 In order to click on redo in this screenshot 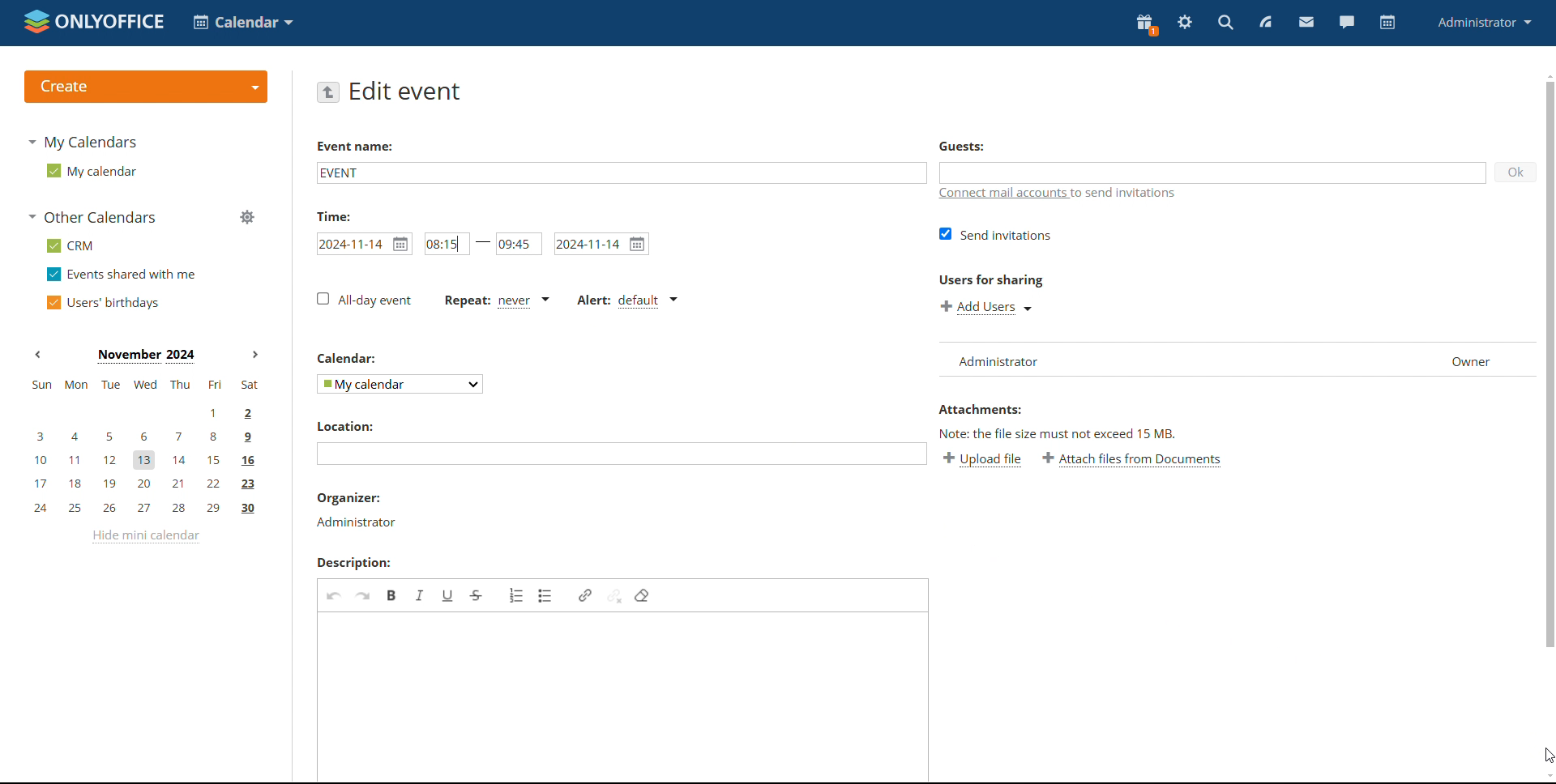, I will do `click(363, 594)`.